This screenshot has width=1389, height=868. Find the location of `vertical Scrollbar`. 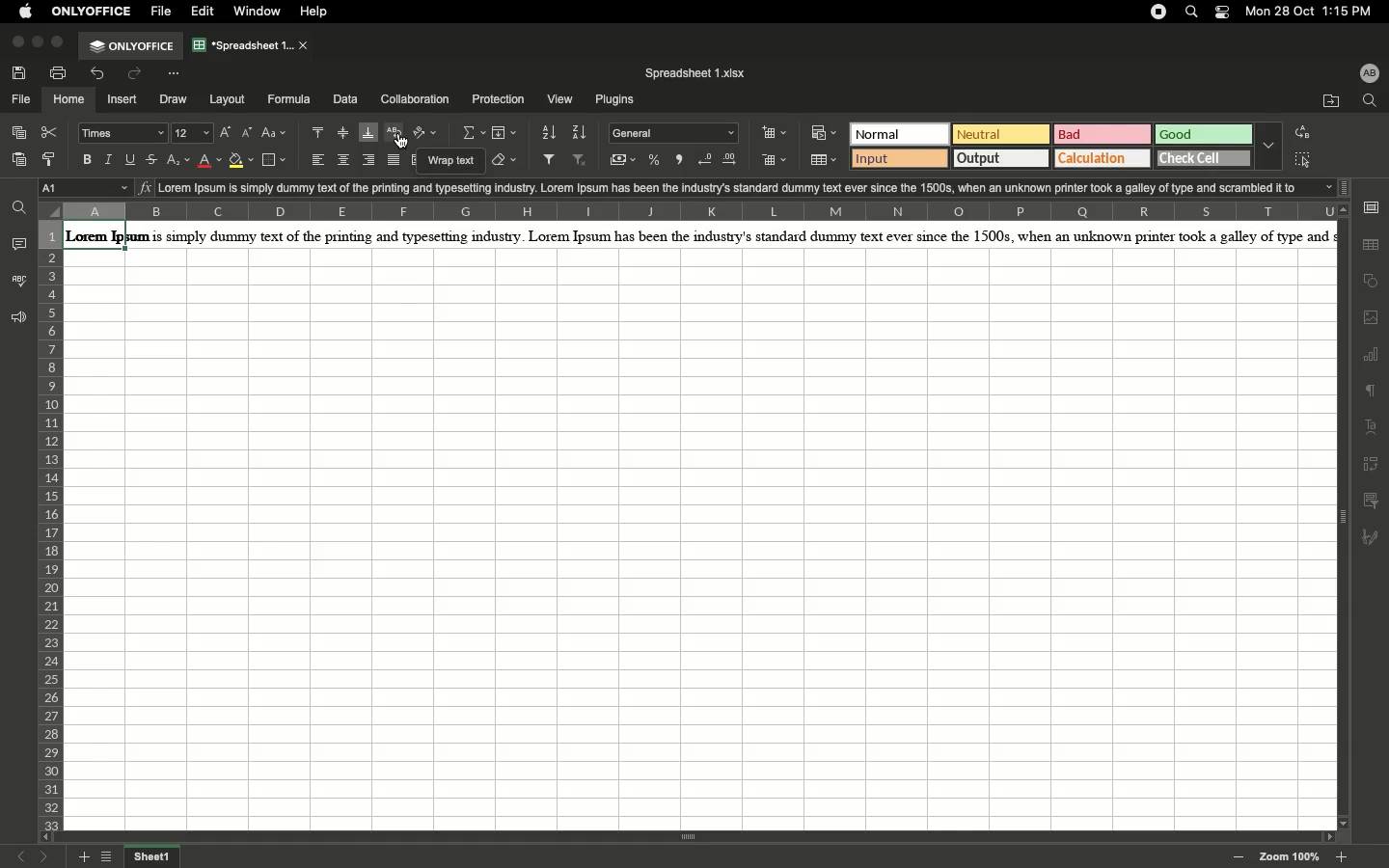

vertical Scrollbar is located at coordinates (1347, 521).